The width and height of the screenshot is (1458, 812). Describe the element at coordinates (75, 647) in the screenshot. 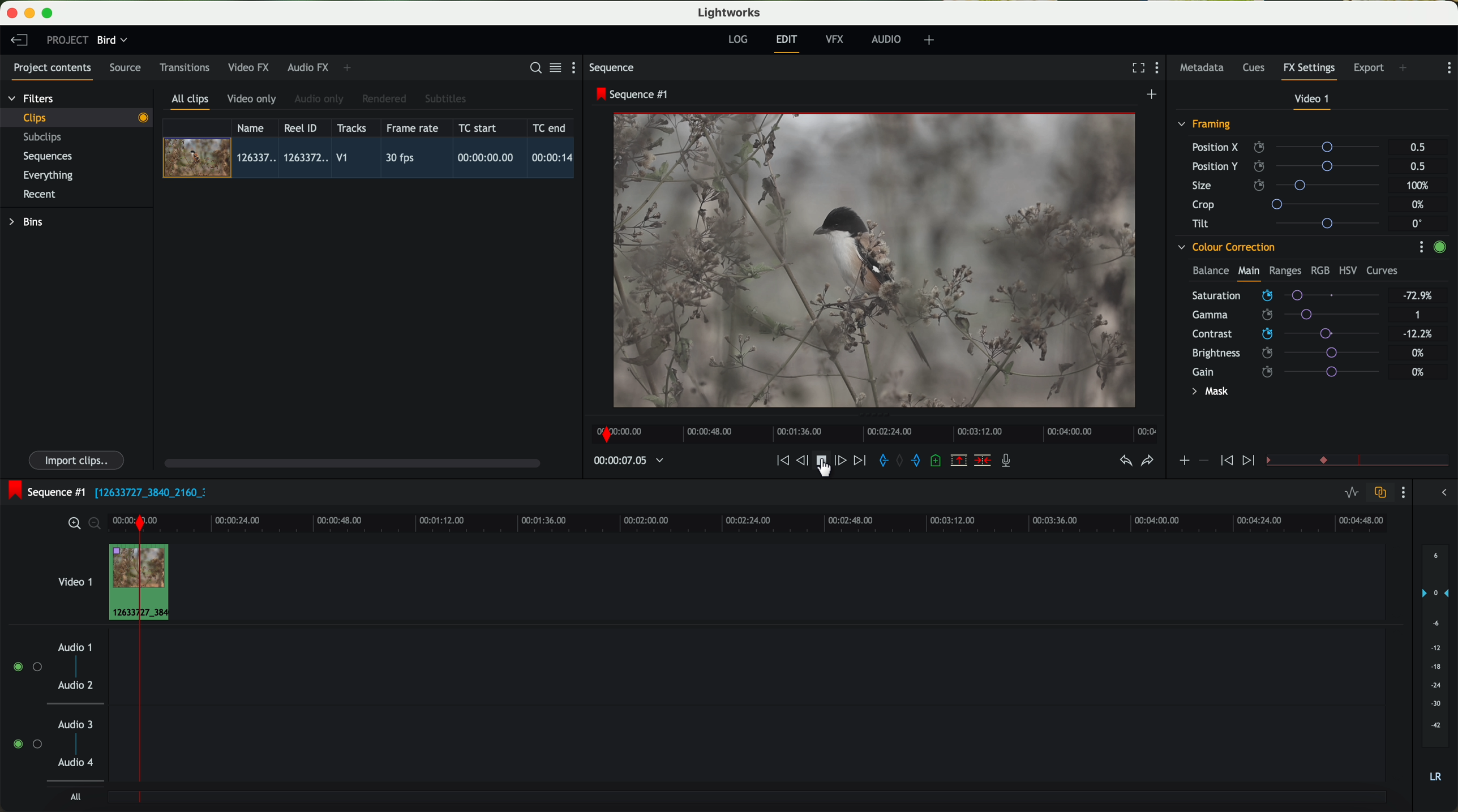

I see `audio 1` at that location.